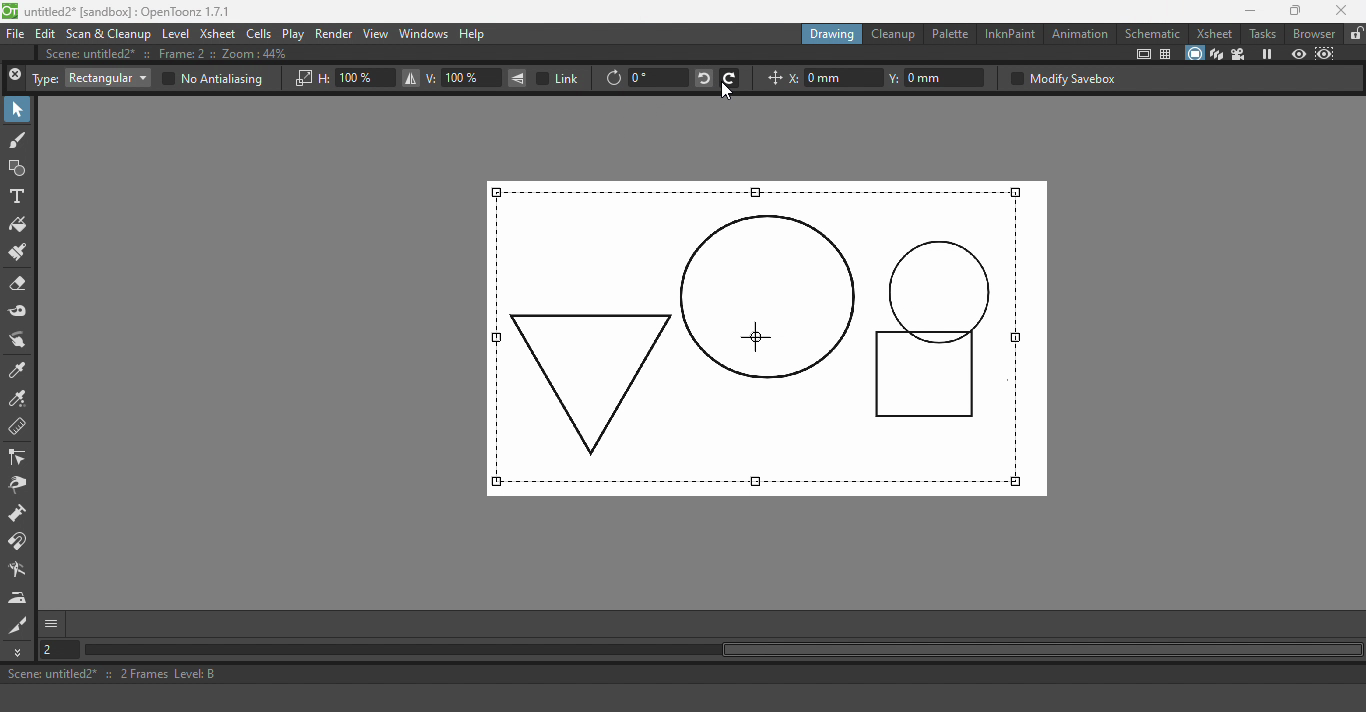 The height and width of the screenshot is (712, 1366). I want to click on Type tool, so click(18, 196).